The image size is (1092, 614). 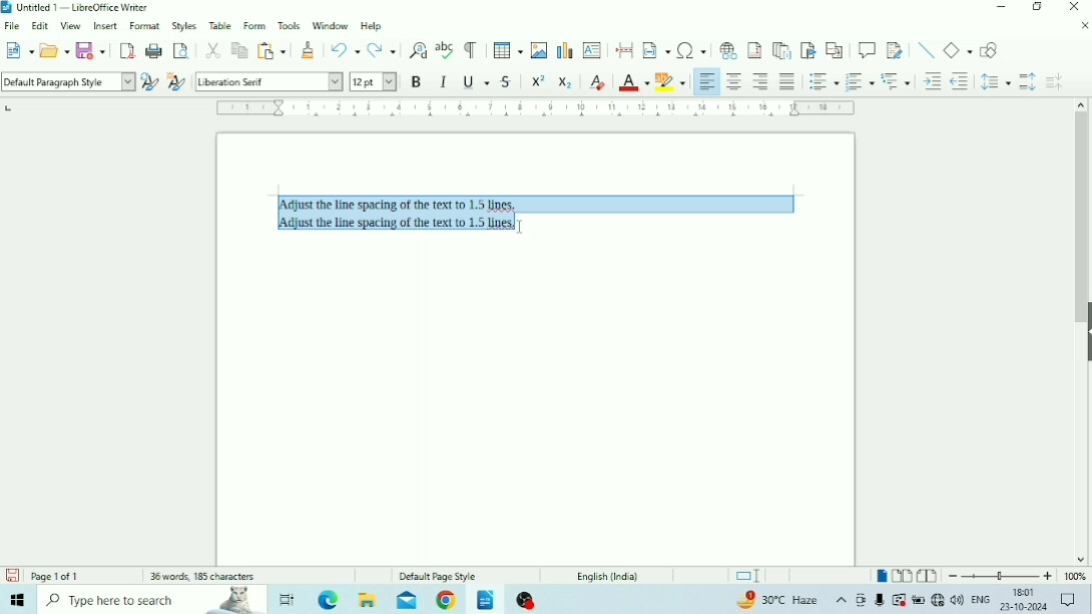 I want to click on Decrease Indent, so click(x=960, y=81).